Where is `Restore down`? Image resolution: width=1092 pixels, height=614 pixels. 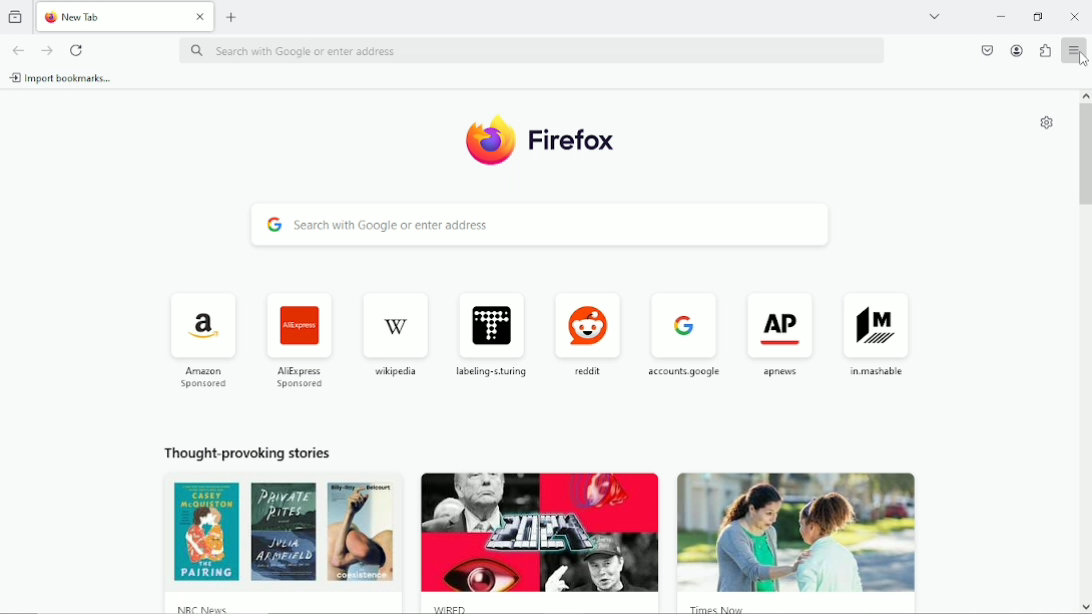
Restore down is located at coordinates (1038, 16).